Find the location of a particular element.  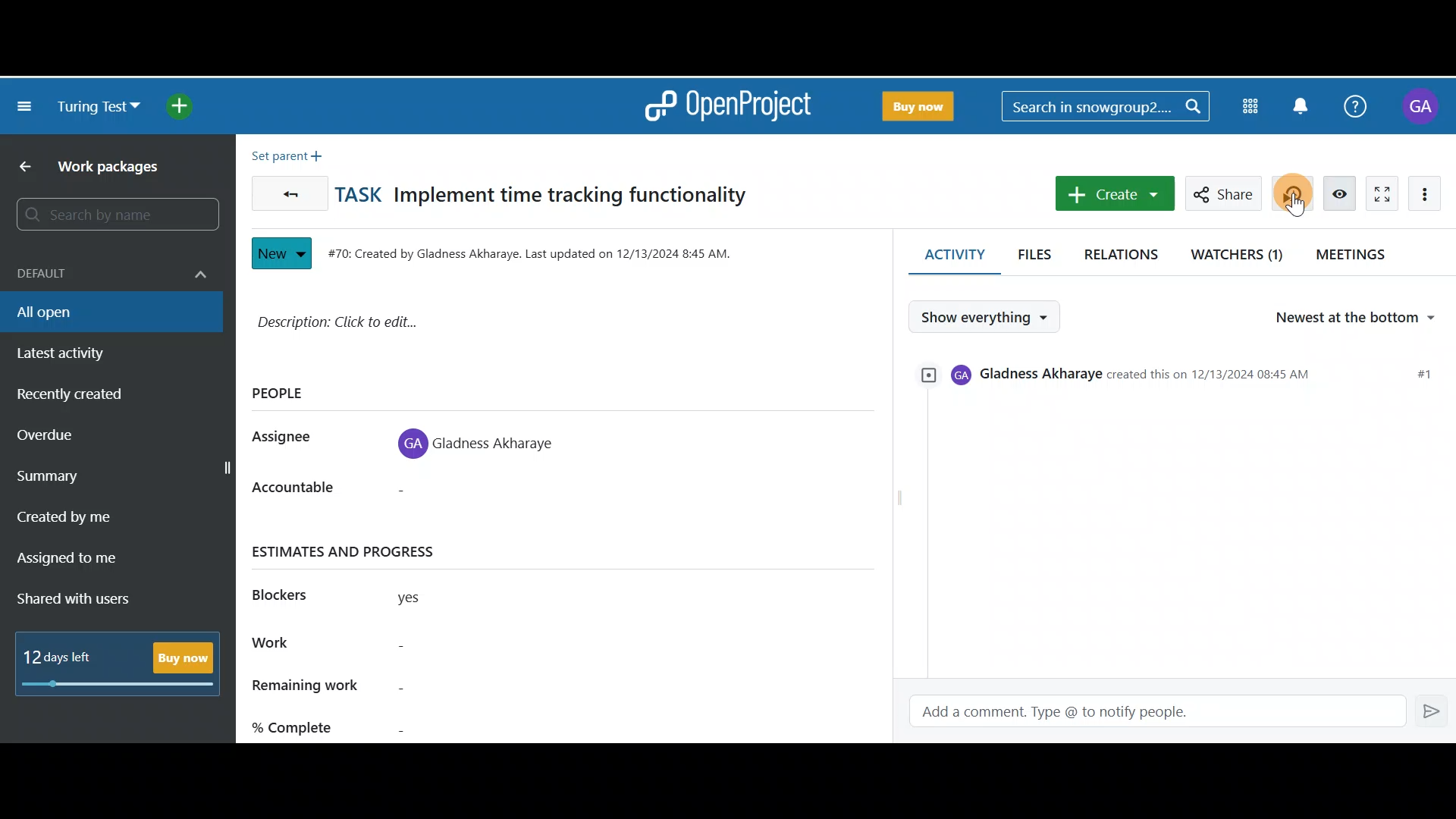

12 days left - Buy Now is located at coordinates (123, 660).